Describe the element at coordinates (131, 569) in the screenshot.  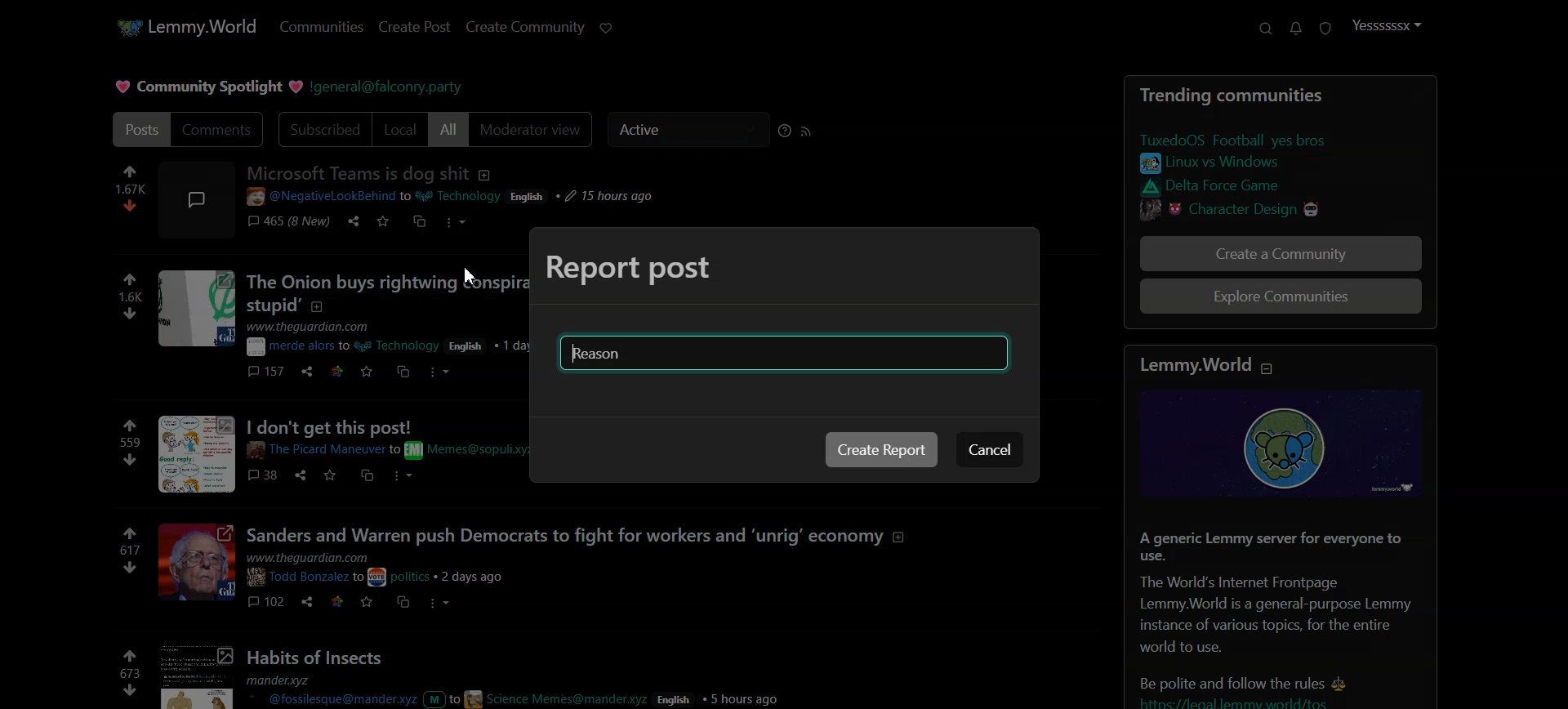
I see `dislike` at that location.